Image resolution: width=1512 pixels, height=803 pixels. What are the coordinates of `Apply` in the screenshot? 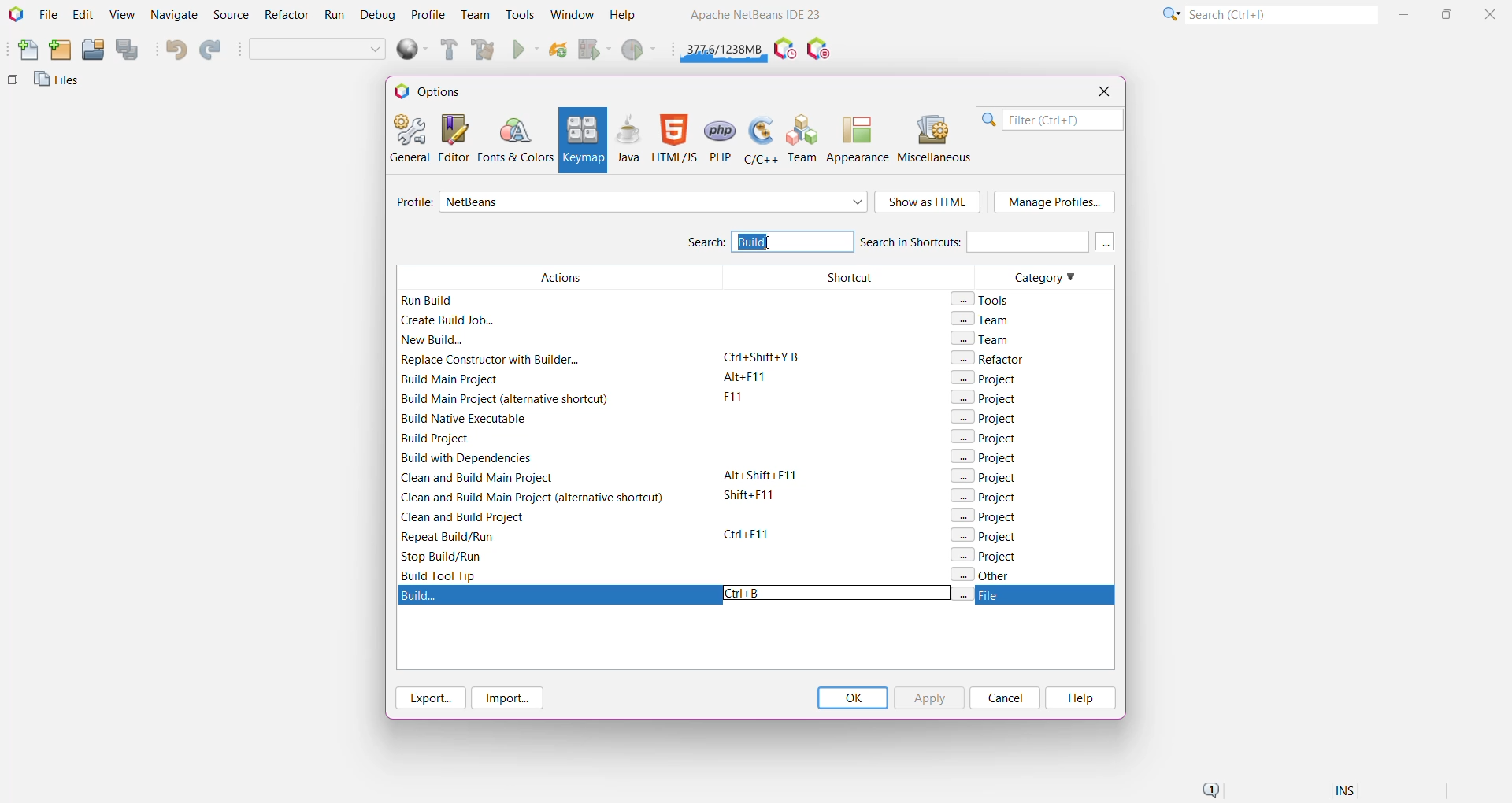 It's located at (928, 698).